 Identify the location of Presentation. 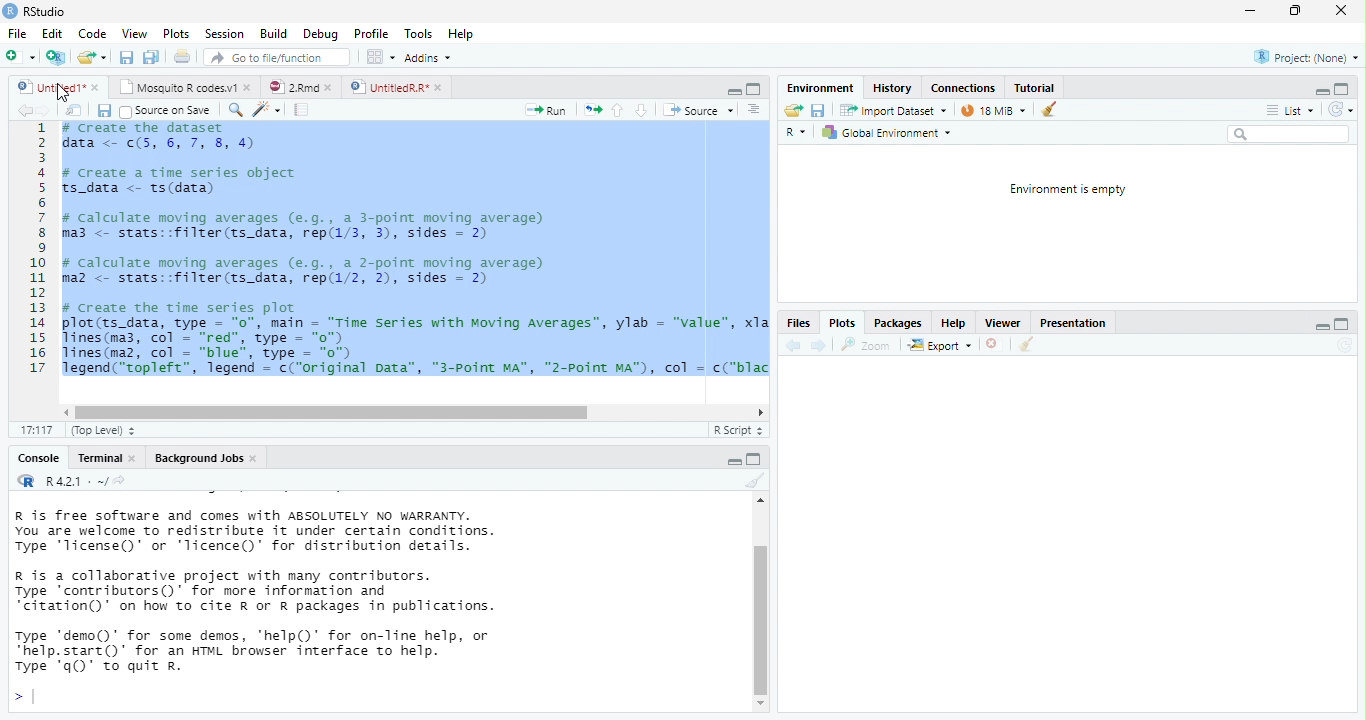
(1071, 325).